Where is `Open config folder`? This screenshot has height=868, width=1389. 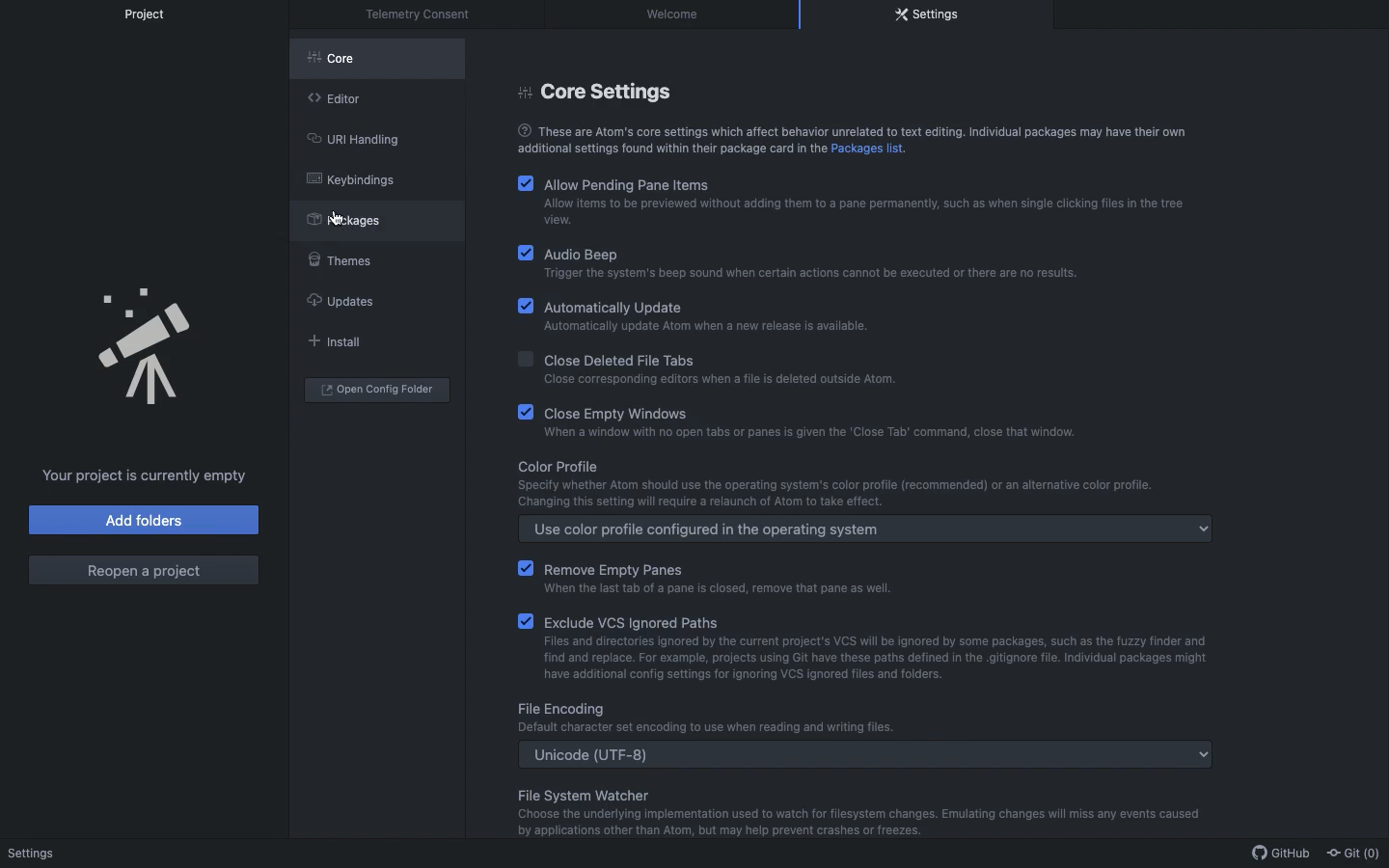 Open config folder is located at coordinates (377, 390).